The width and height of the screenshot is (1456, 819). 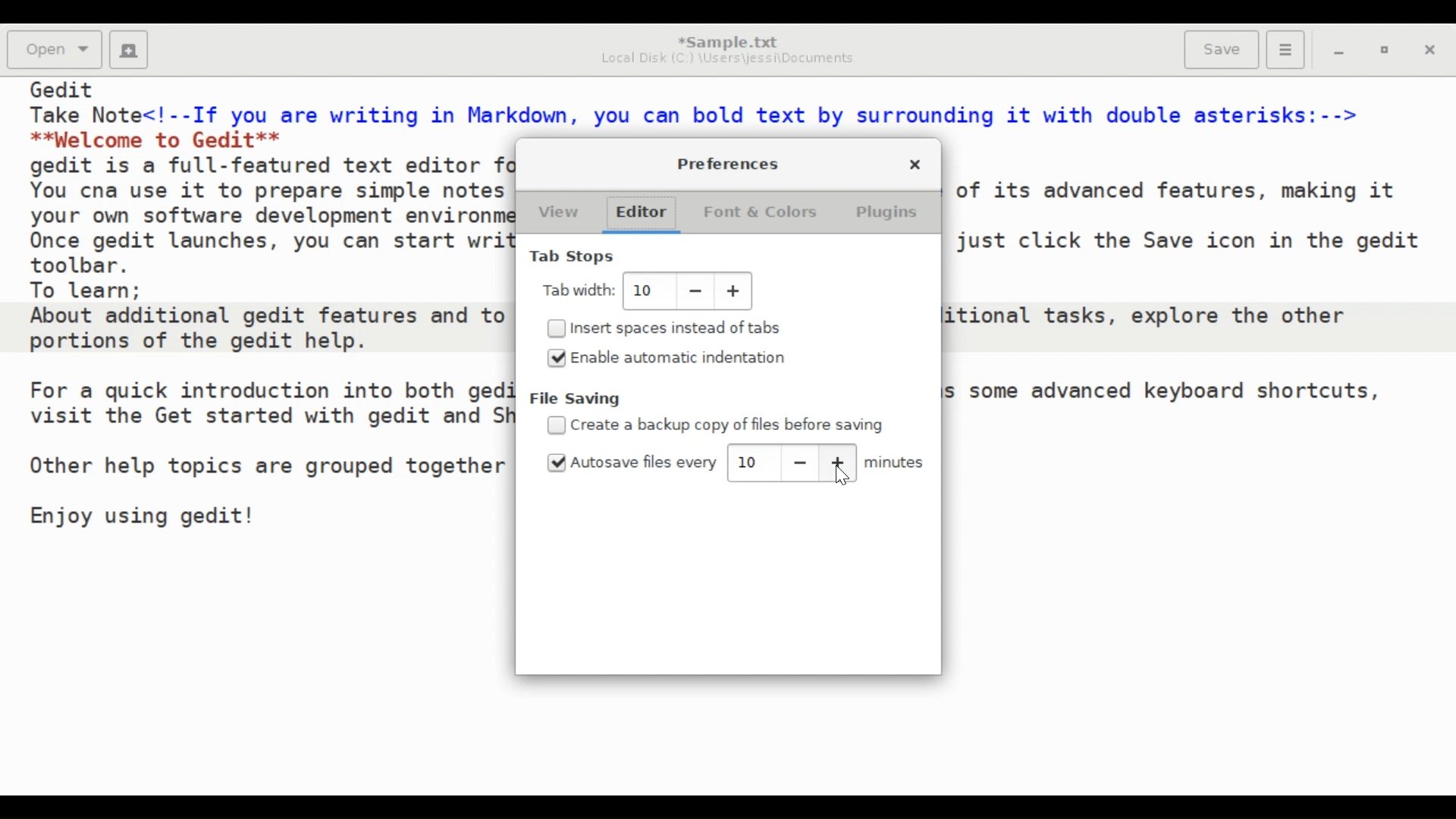 I want to click on Adjust Tab Width: 10, so click(x=648, y=290).